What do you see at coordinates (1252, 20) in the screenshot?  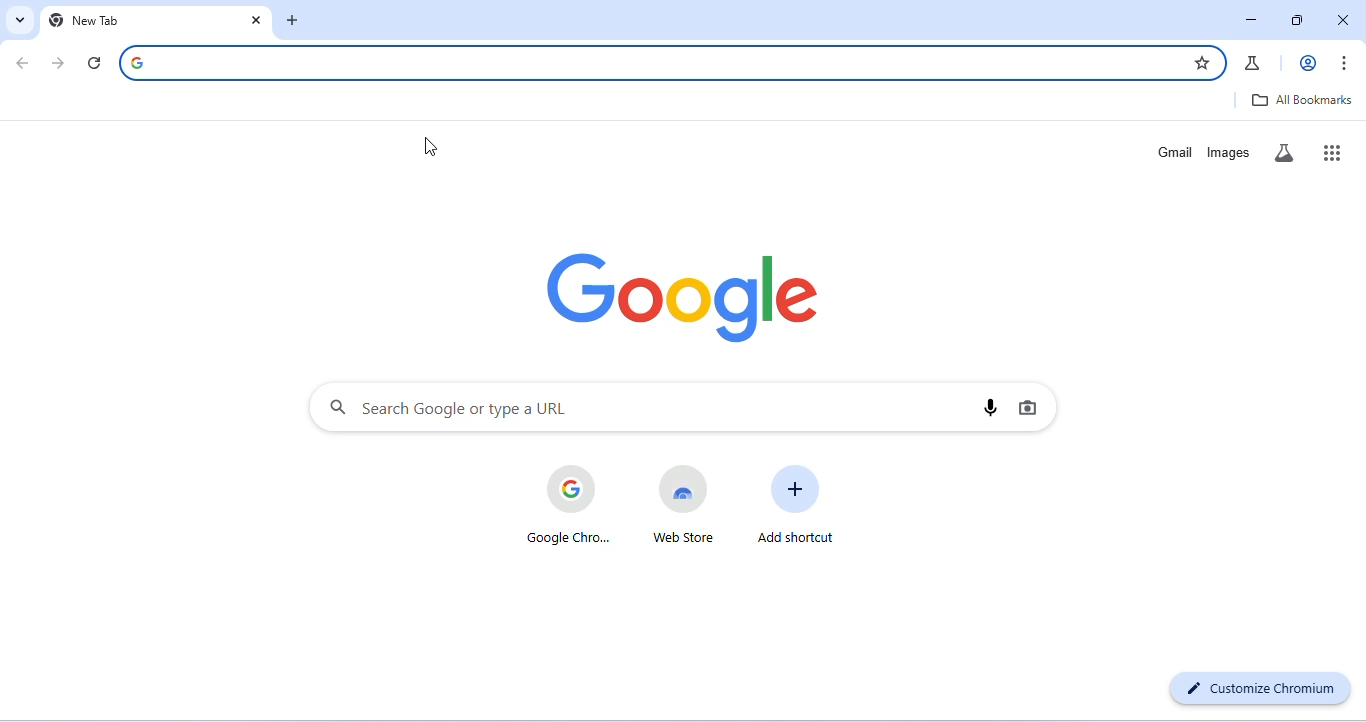 I see `minimize` at bounding box center [1252, 20].